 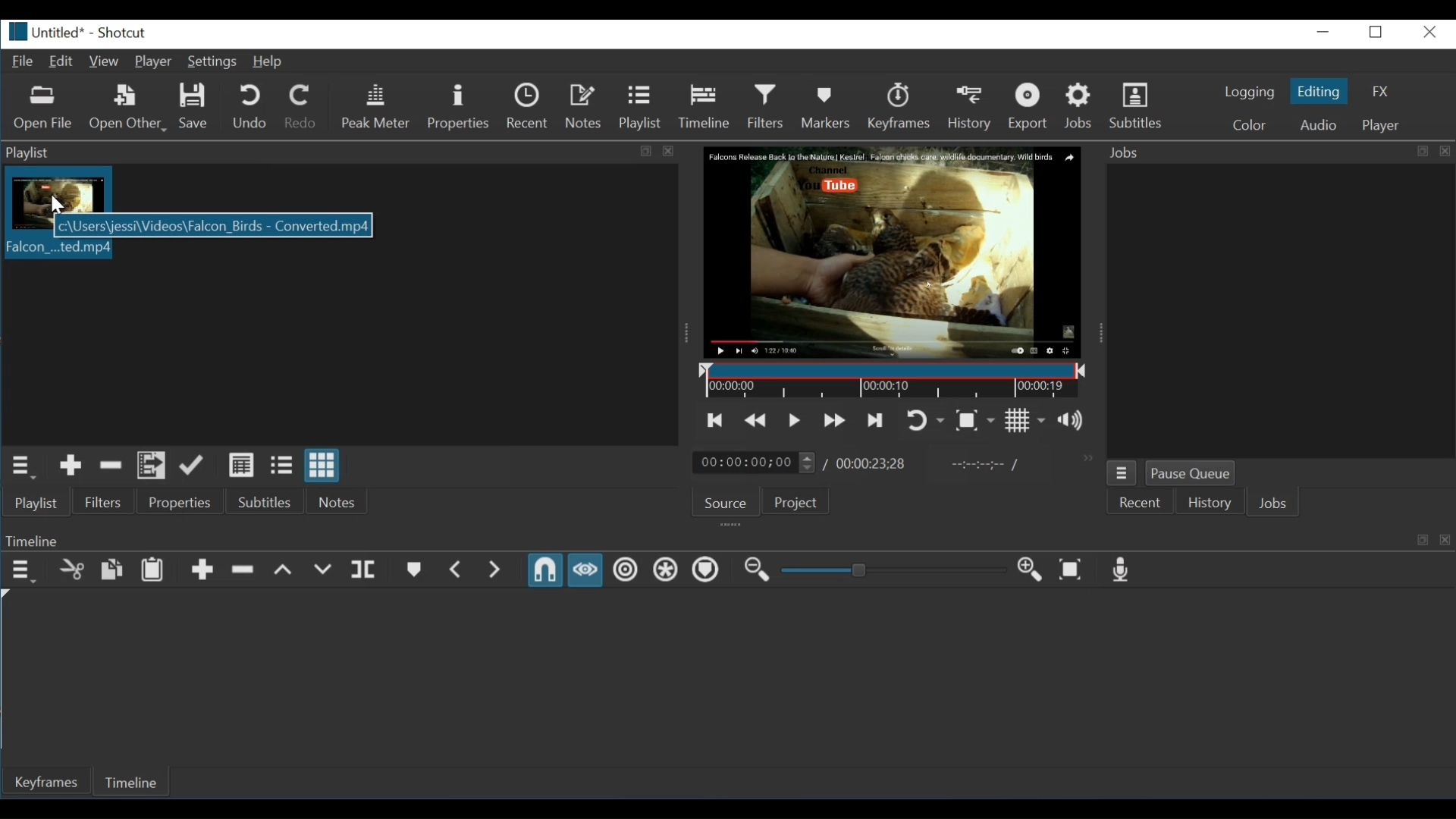 What do you see at coordinates (1025, 421) in the screenshot?
I see `Toggle grid display on the player` at bounding box center [1025, 421].